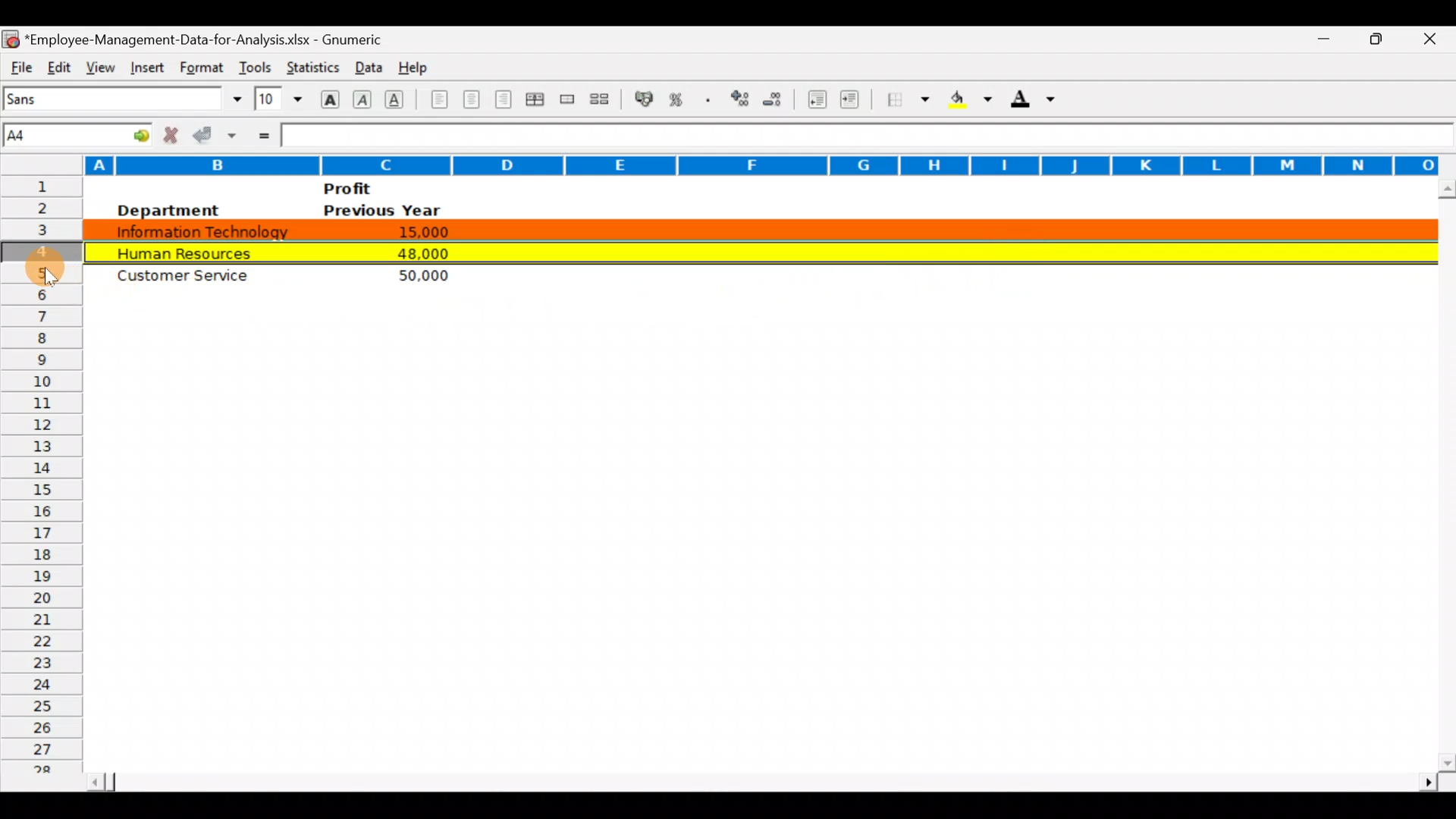 The width and height of the screenshot is (1456, 819). Describe the element at coordinates (600, 99) in the screenshot. I see `Split merged range of cells` at that location.